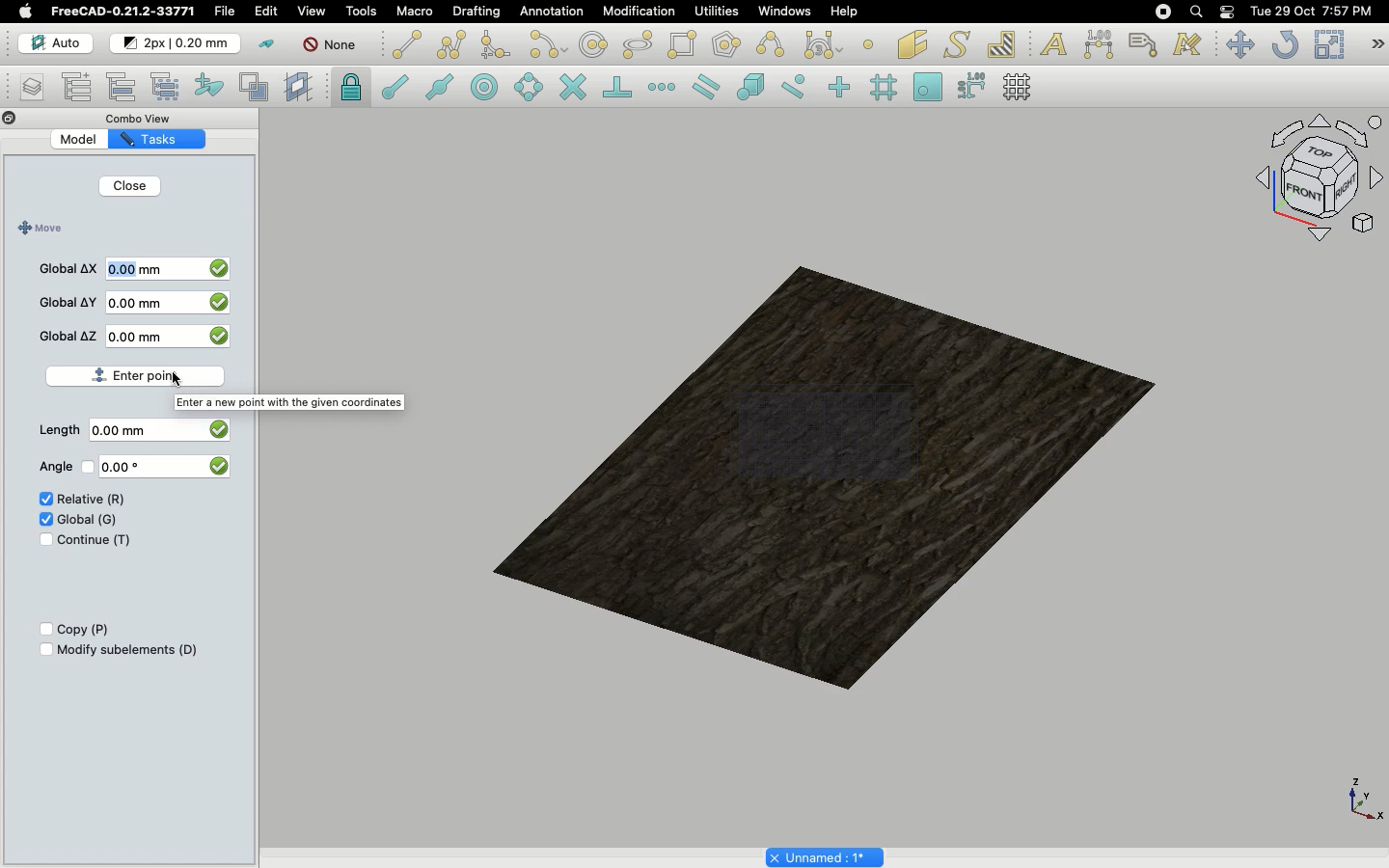  I want to click on Facebinder, so click(912, 46).